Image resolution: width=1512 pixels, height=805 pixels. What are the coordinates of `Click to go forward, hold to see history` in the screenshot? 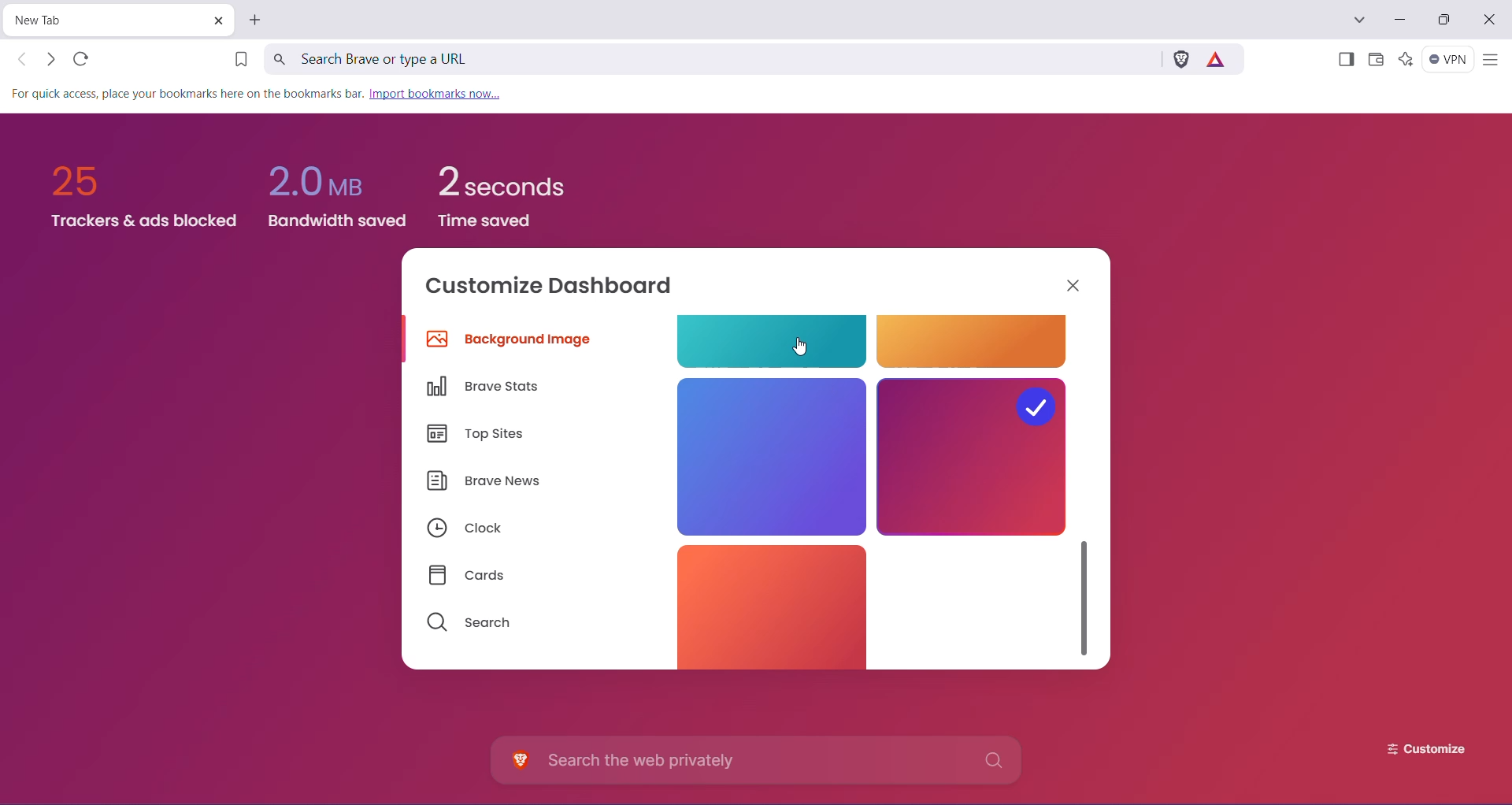 It's located at (50, 59).